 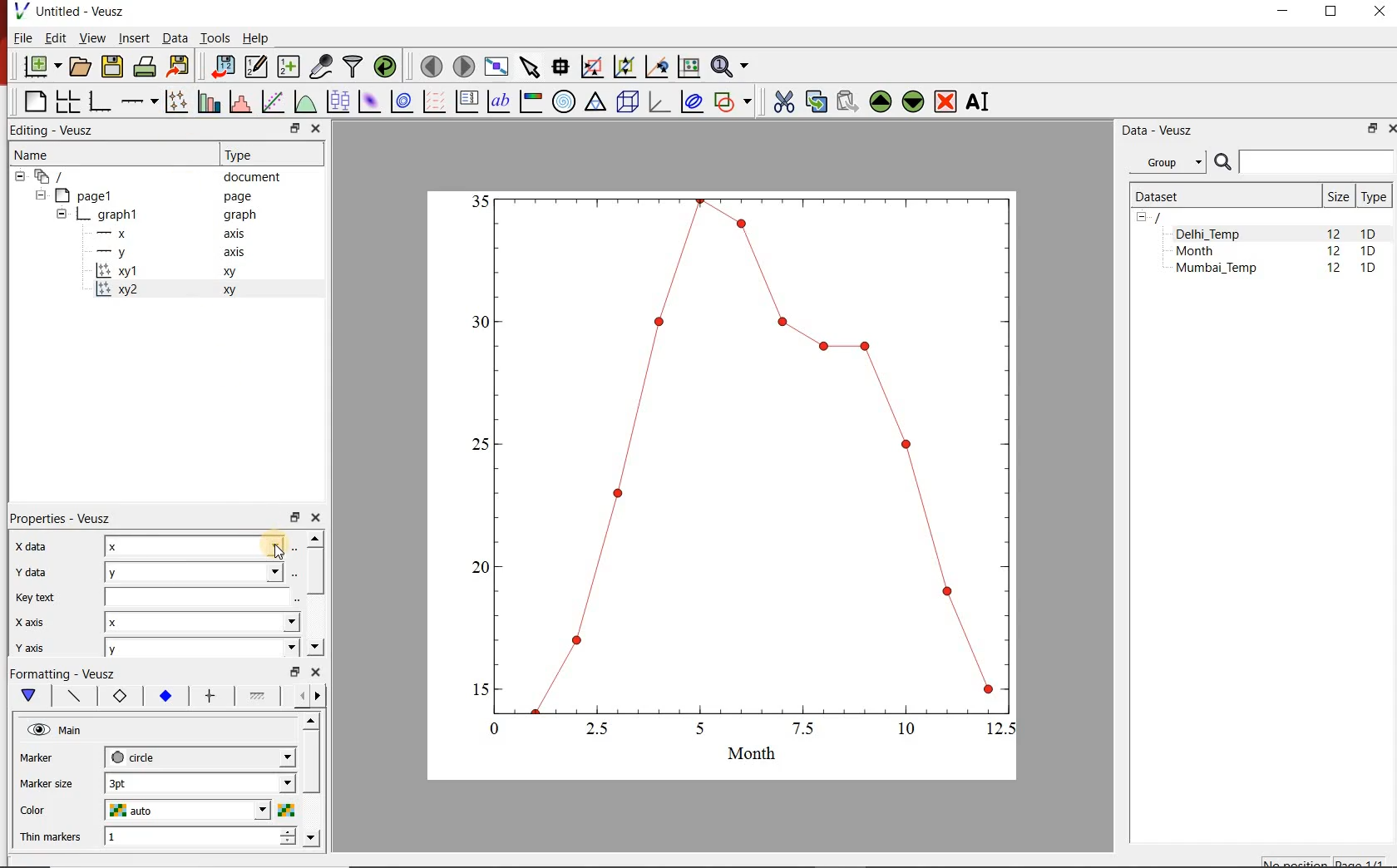 What do you see at coordinates (313, 782) in the screenshot?
I see `scrollbar` at bounding box center [313, 782].